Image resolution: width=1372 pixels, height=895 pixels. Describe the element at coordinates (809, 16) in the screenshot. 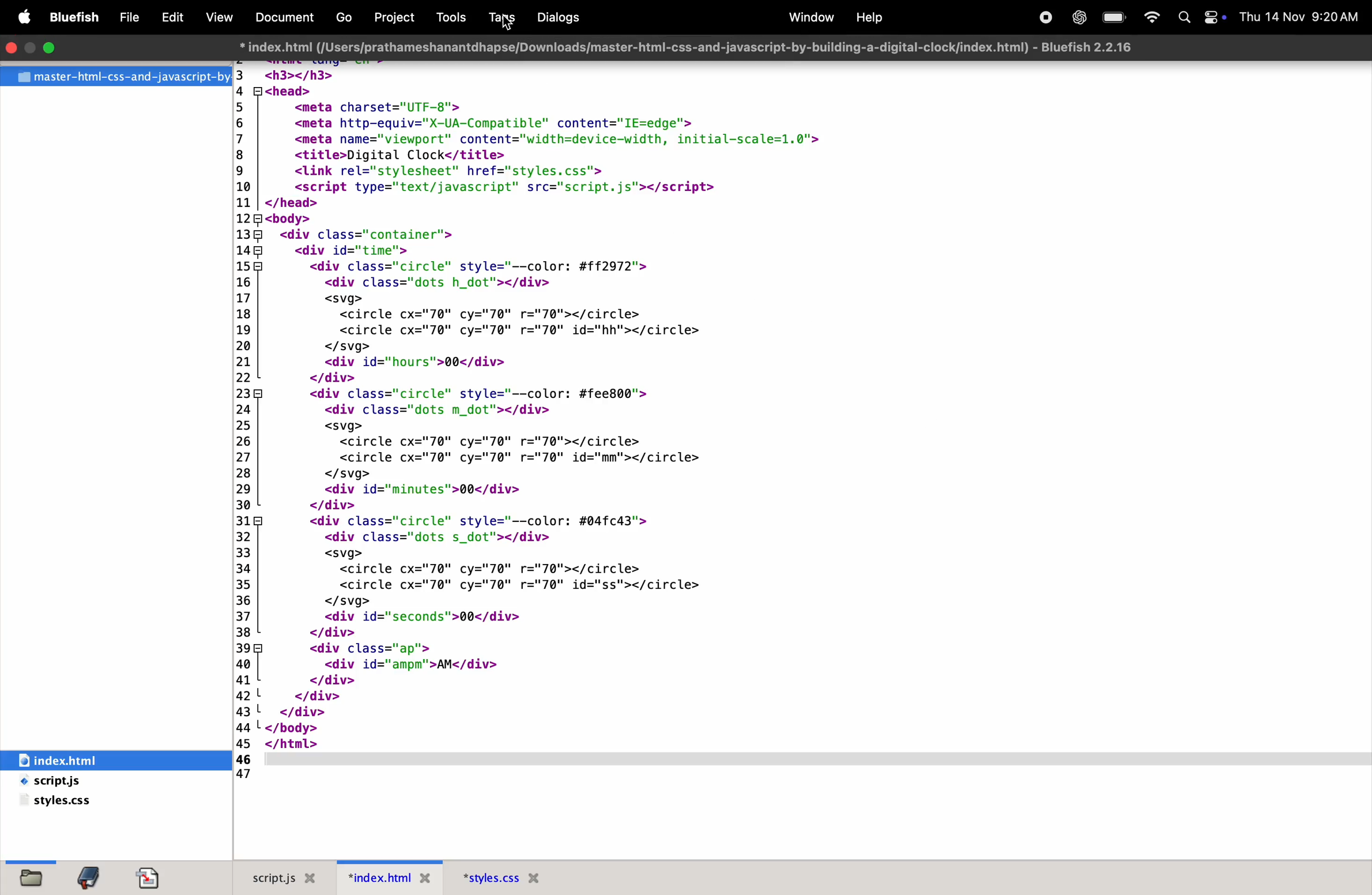

I see `window` at that location.